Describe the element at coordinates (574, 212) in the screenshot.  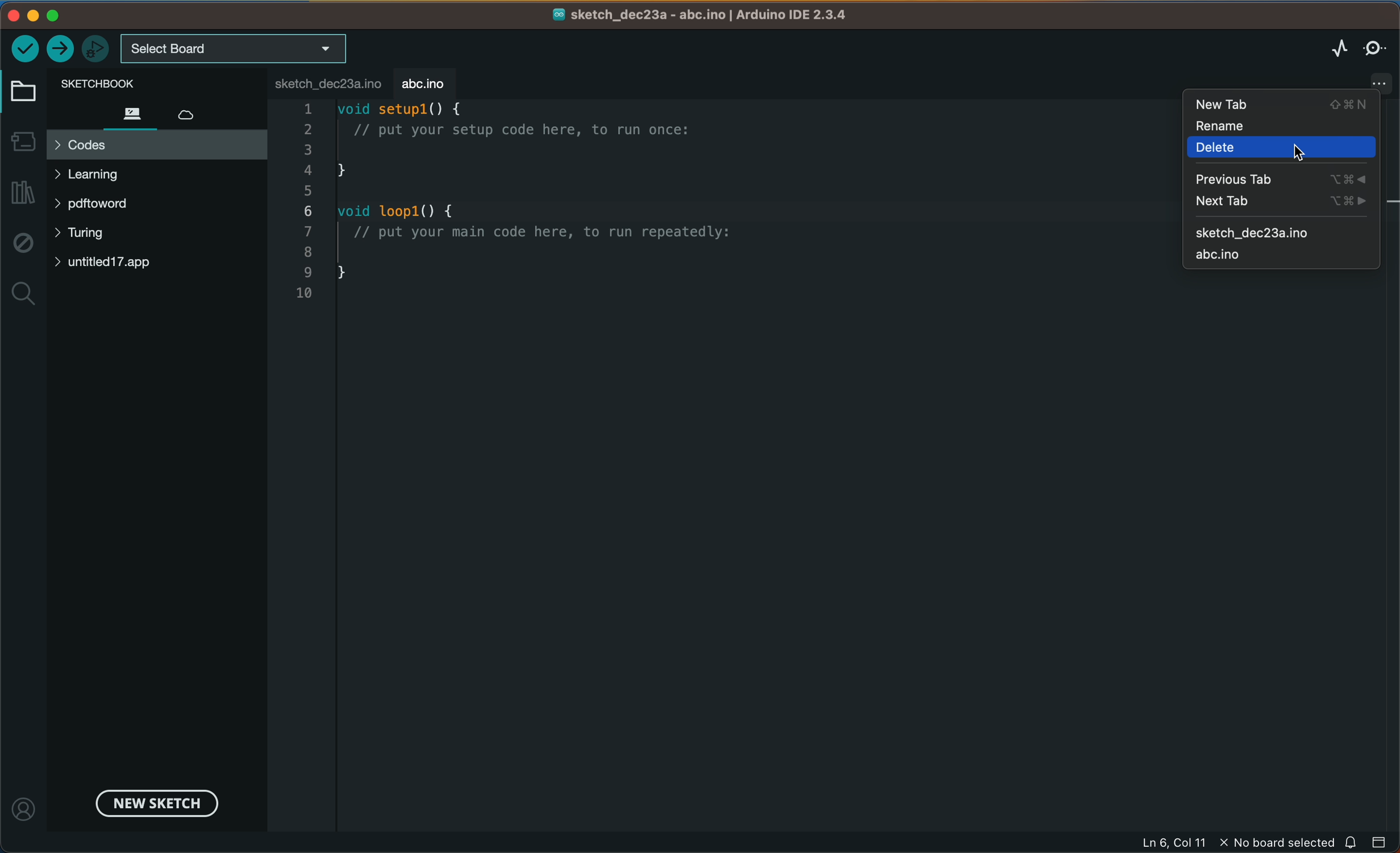
I see `code` at that location.